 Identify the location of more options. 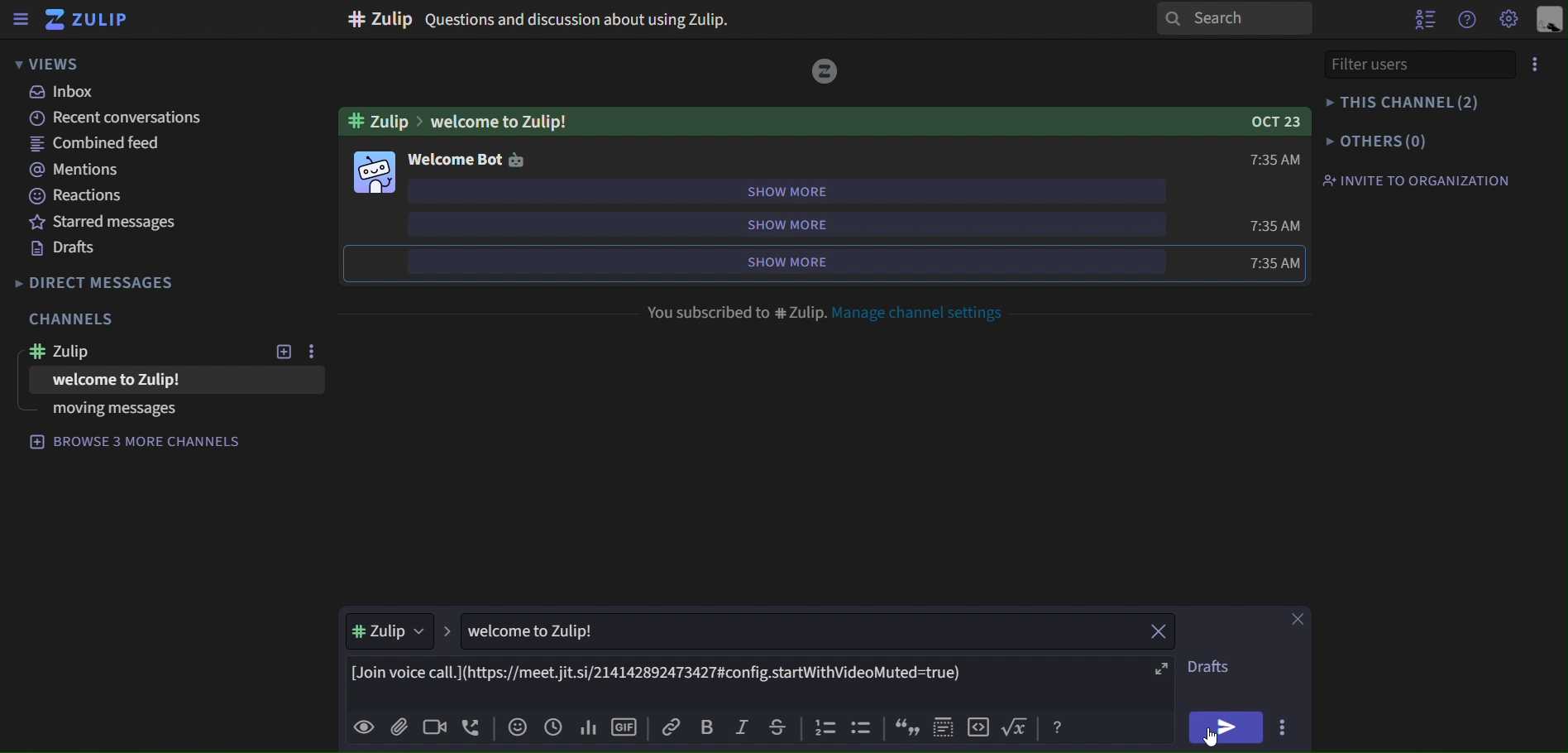
(1541, 63).